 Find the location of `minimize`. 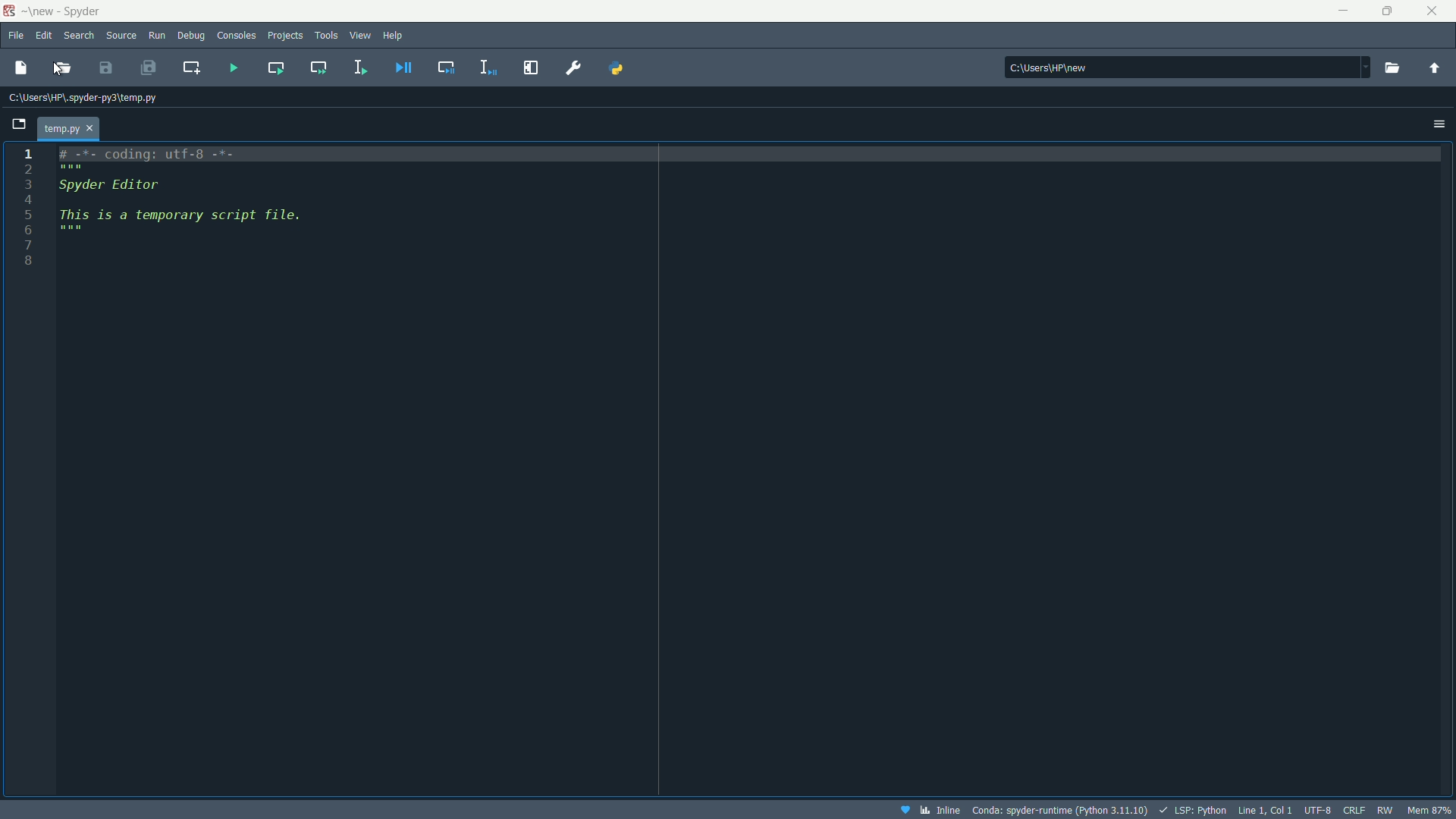

minimize is located at coordinates (1344, 11).